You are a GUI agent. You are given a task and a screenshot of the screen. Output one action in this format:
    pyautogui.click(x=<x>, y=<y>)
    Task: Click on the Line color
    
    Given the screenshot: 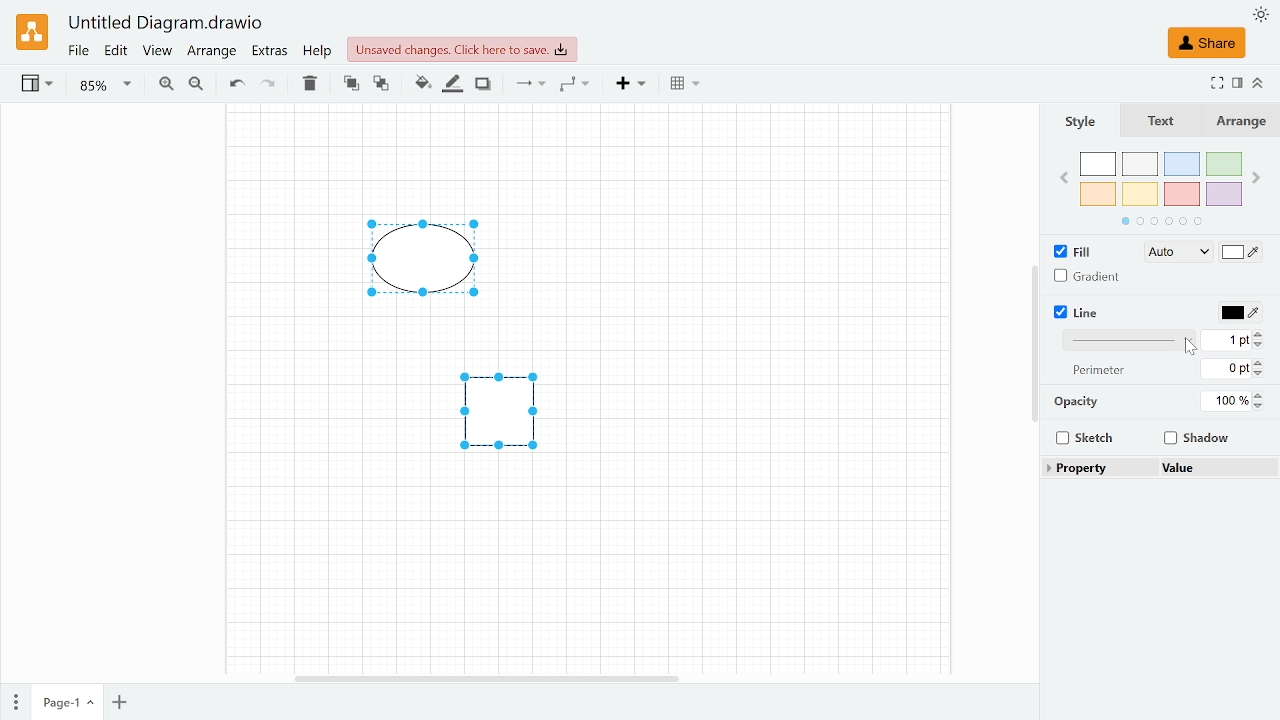 What is the action you would take?
    pyautogui.click(x=1238, y=313)
    